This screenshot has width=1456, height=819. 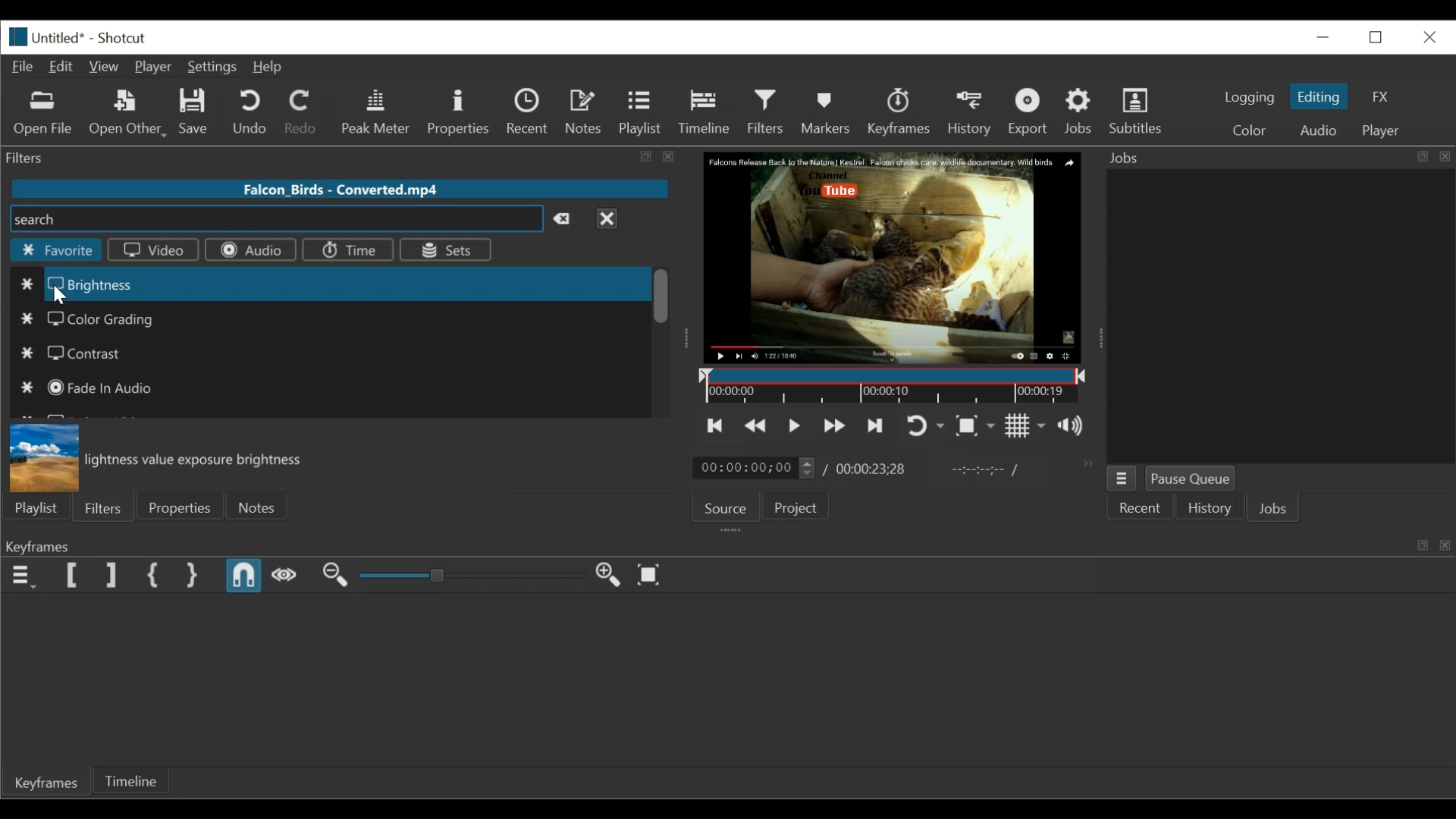 I want to click on Set Filter last, so click(x=111, y=576).